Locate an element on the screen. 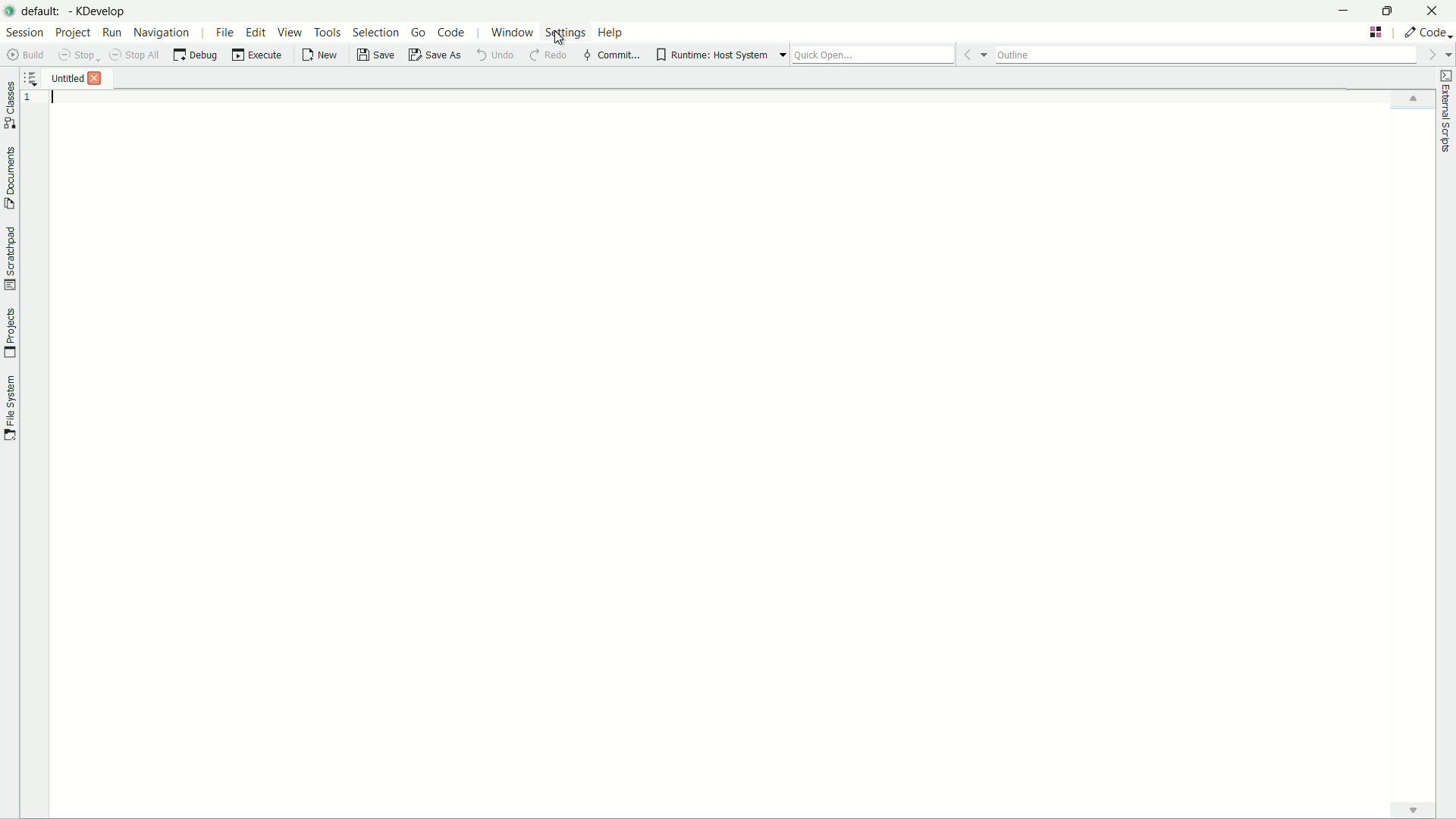 This screenshot has height=819, width=1456. default is located at coordinates (44, 11).